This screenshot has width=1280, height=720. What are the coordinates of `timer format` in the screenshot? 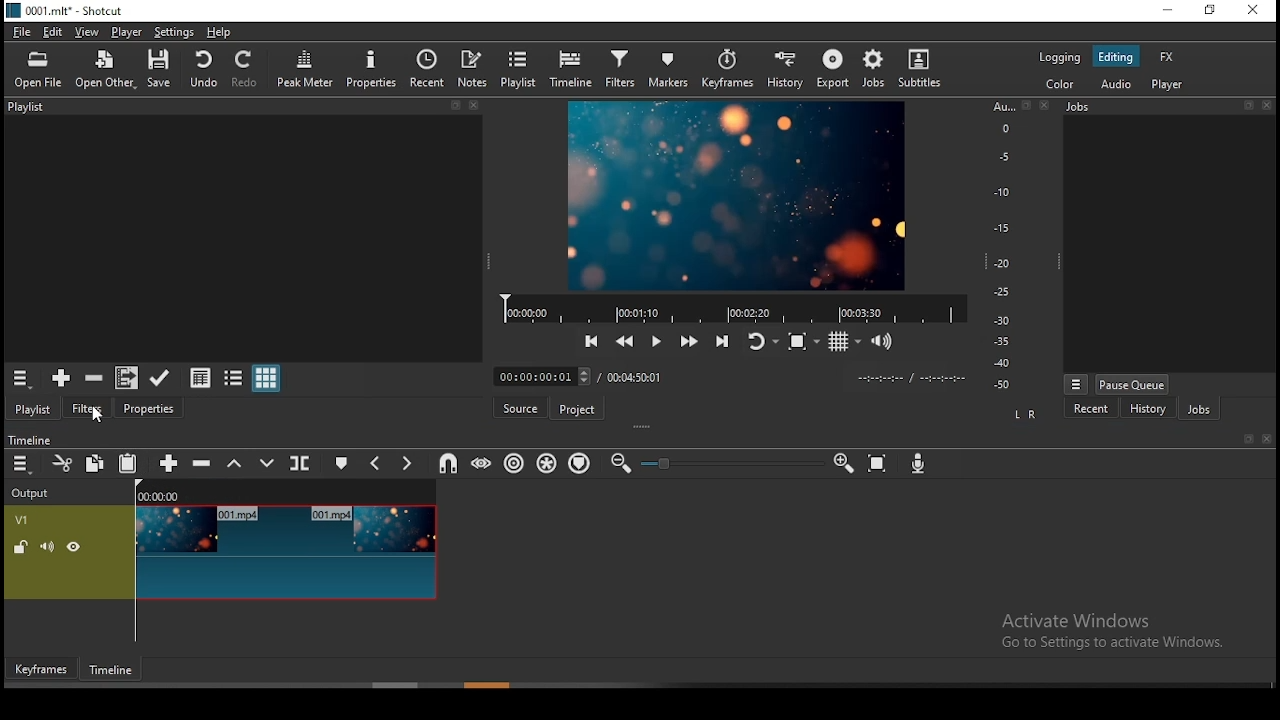 It's located at (911, 377).